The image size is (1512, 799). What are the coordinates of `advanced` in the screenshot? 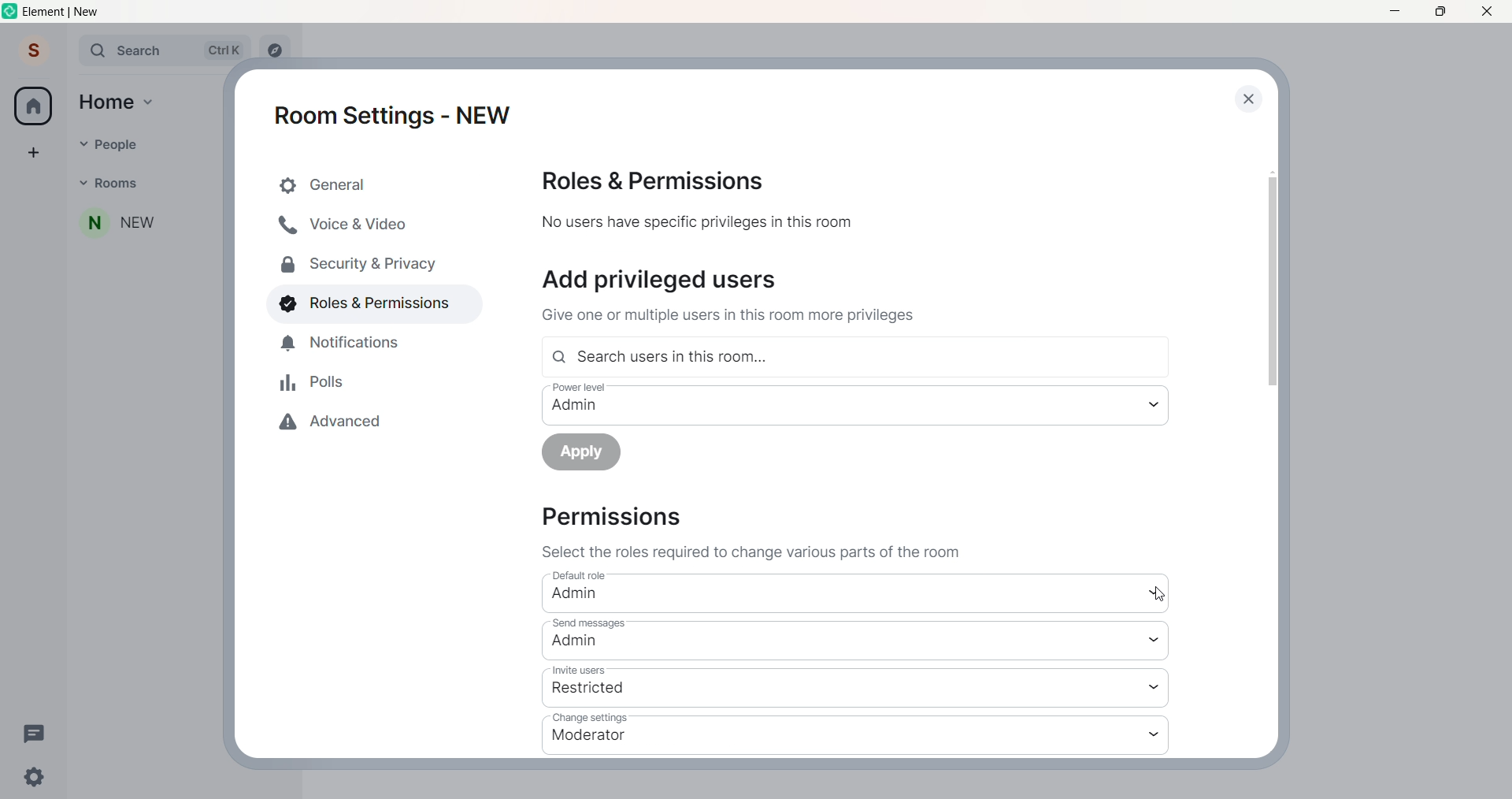 It's located at (339, 425).